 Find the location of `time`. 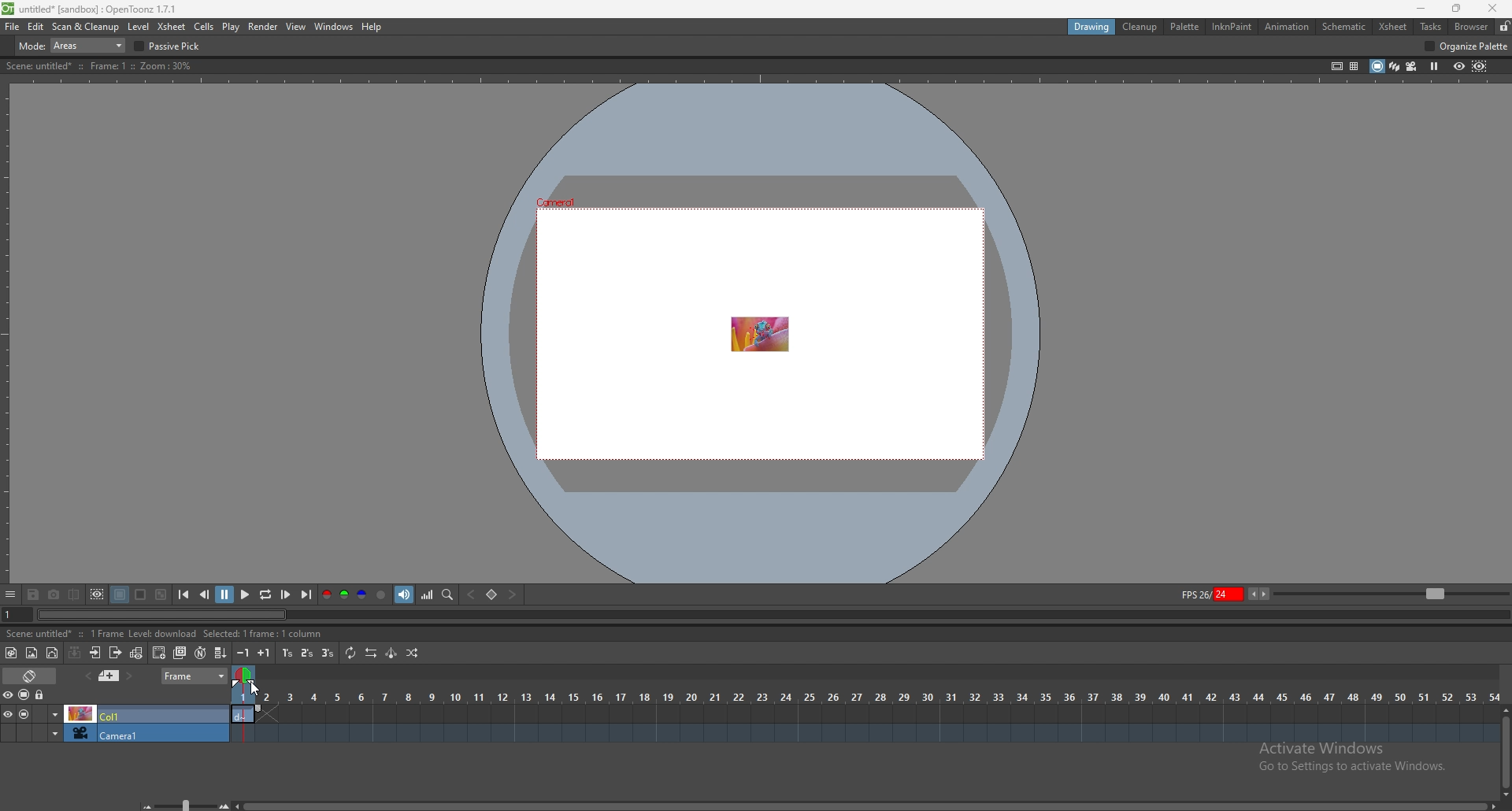

time is located at coordinates (865, 696).